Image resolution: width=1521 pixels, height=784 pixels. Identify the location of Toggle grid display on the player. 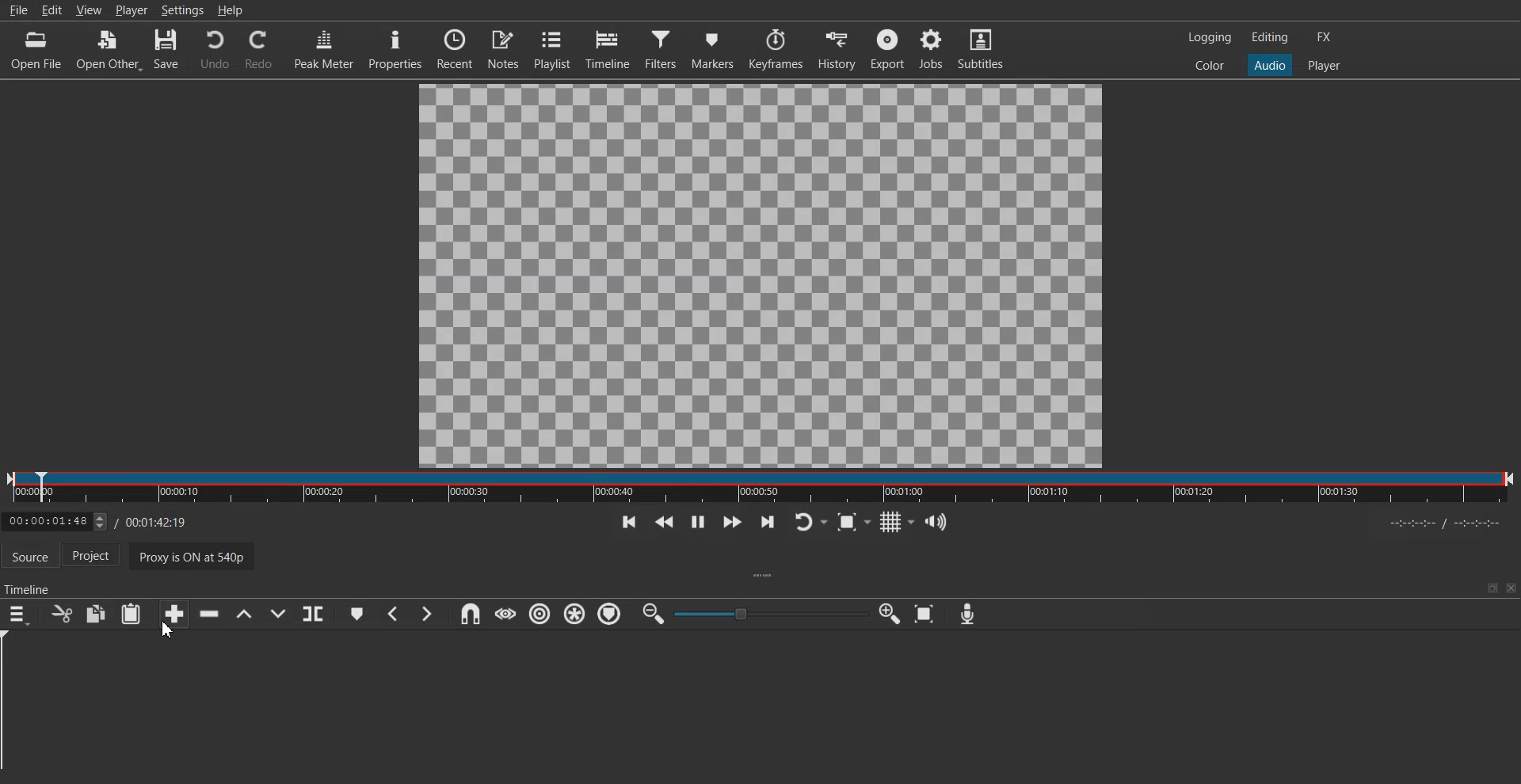
(898, 520).